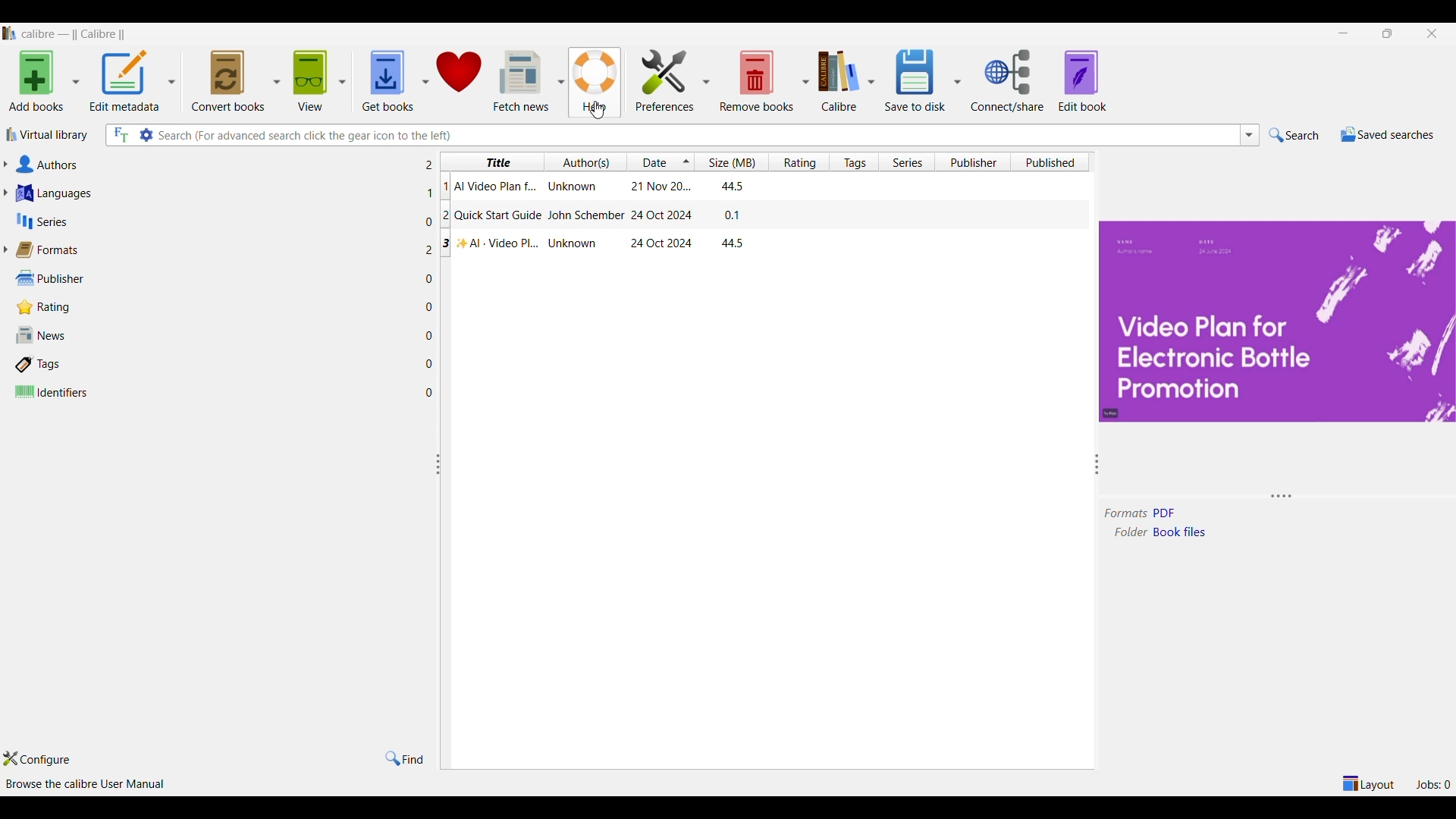 This screenshot has width=1456, height=819. What do you see at coordinates (732, 162) in the screenshot?
I see `Size column` at bounding box center [732, 162].